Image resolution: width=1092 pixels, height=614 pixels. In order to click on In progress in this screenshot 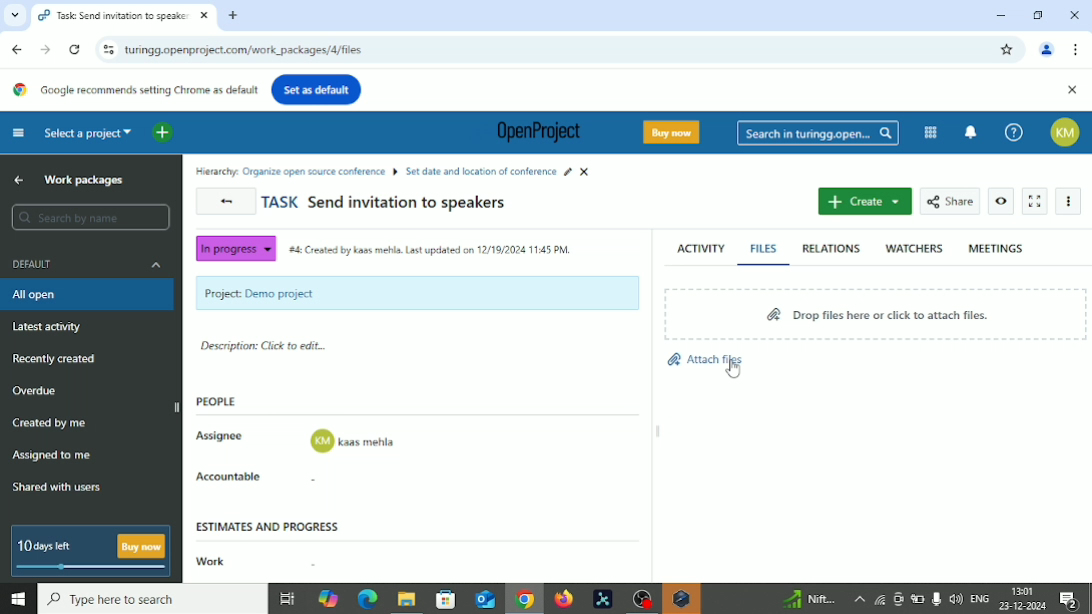, I will do `click(234, 249)`.